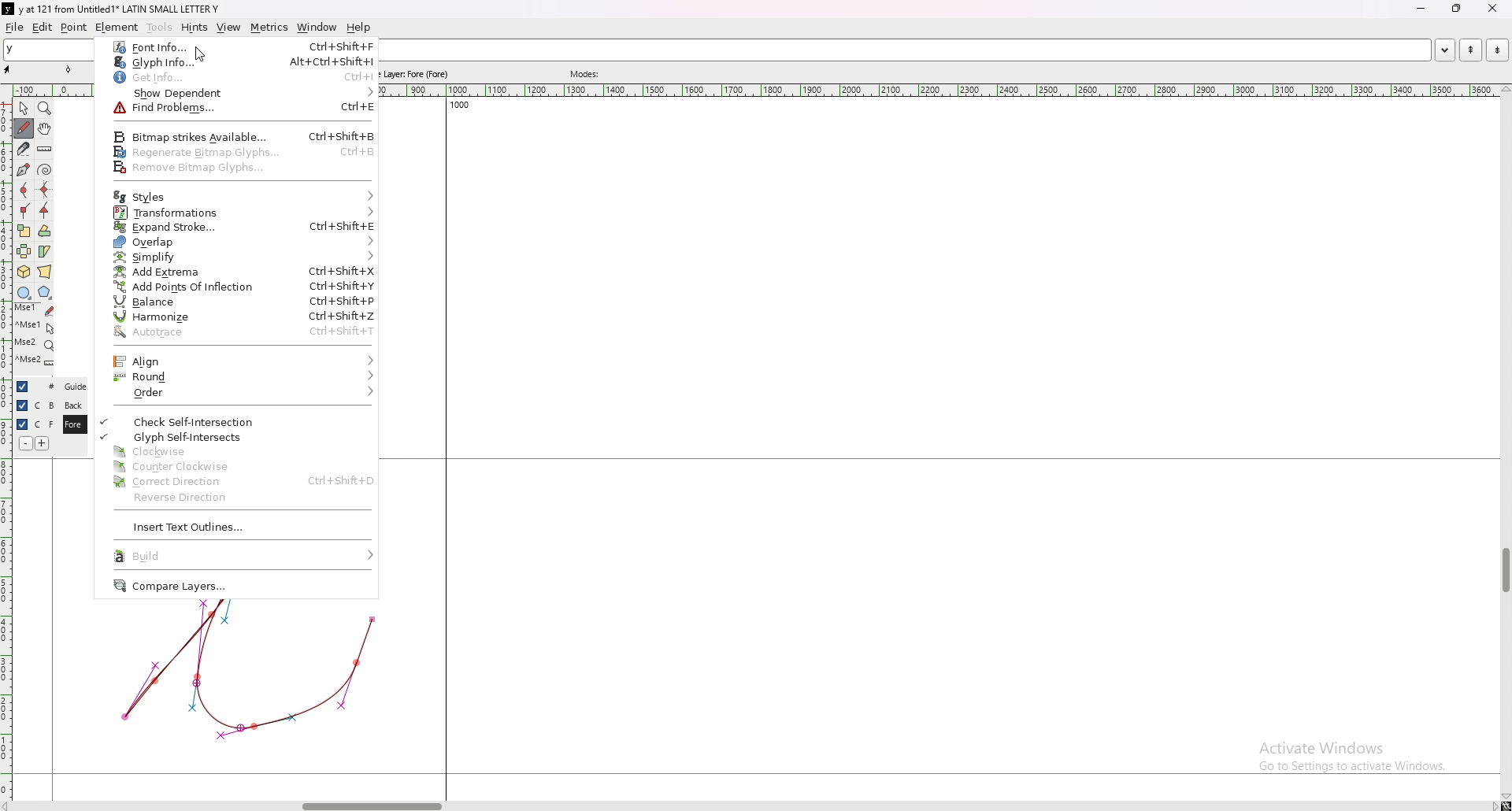 This screenshot has width=1512, height=811. Describe the element at coordinates (269, 28) in the screenshot. I see `metrics` at that location.